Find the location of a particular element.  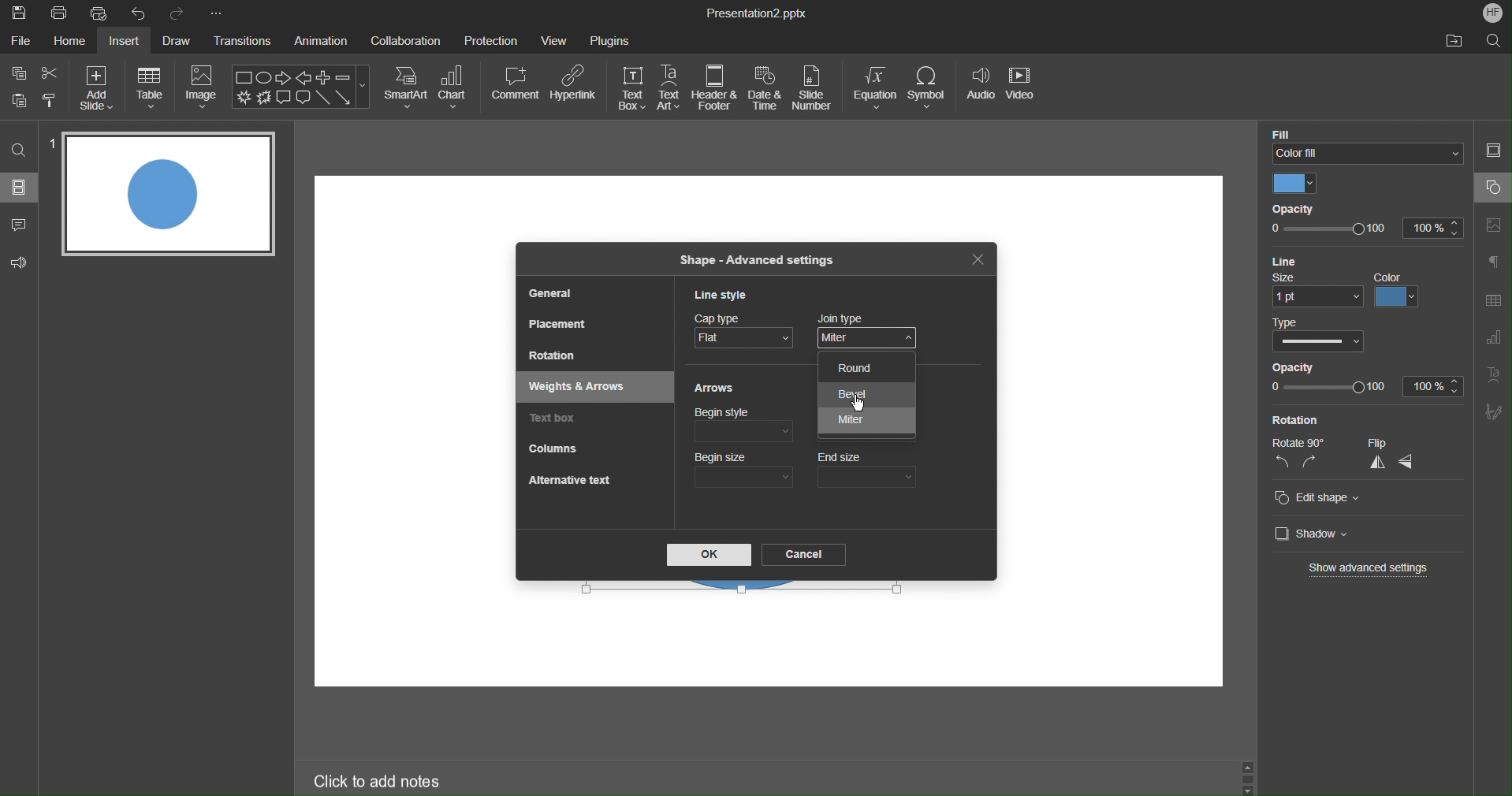

Image is located at coordinates (203, 87).